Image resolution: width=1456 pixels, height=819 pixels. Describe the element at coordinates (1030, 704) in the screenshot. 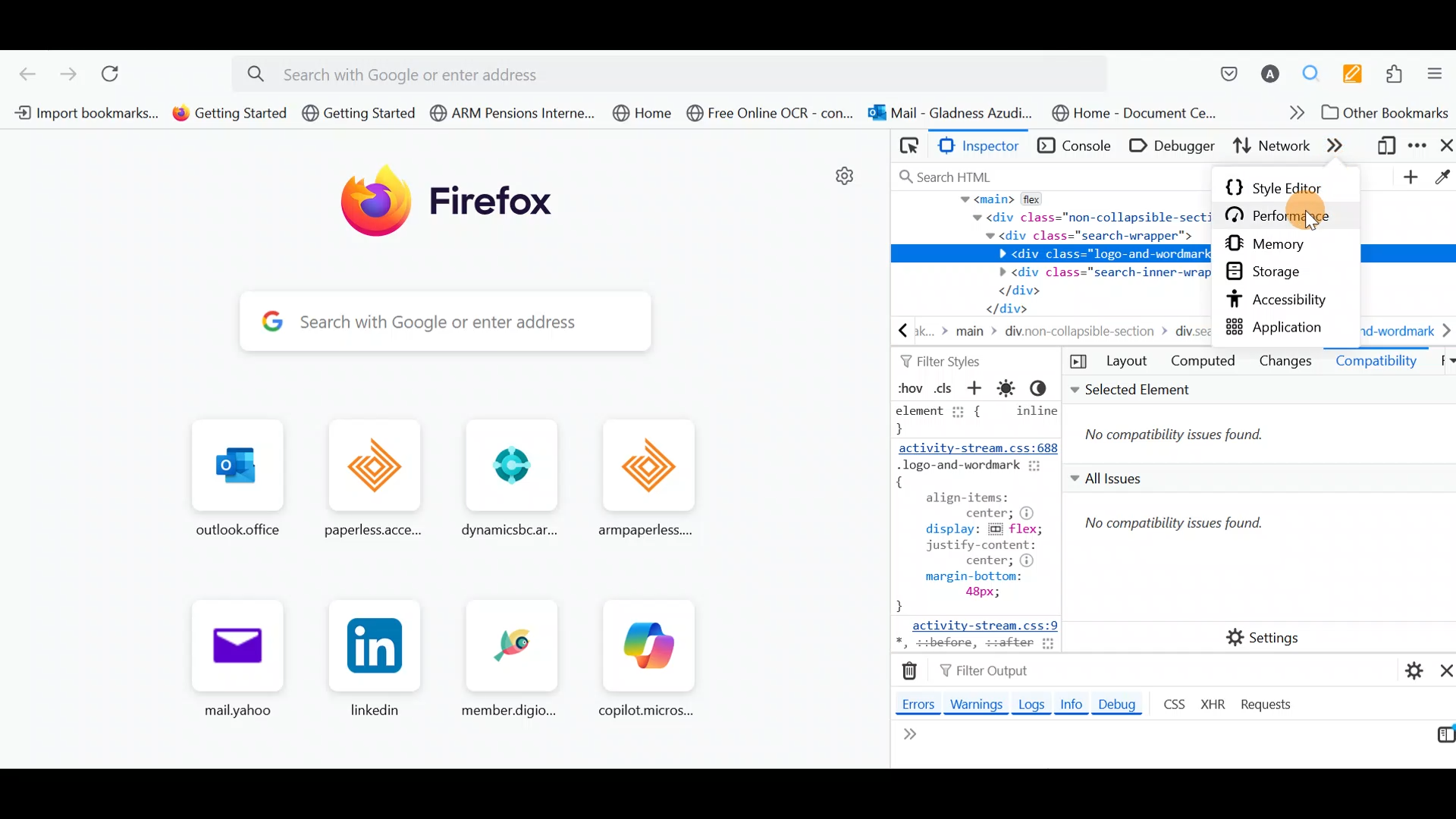

I see `Logs` at that location.